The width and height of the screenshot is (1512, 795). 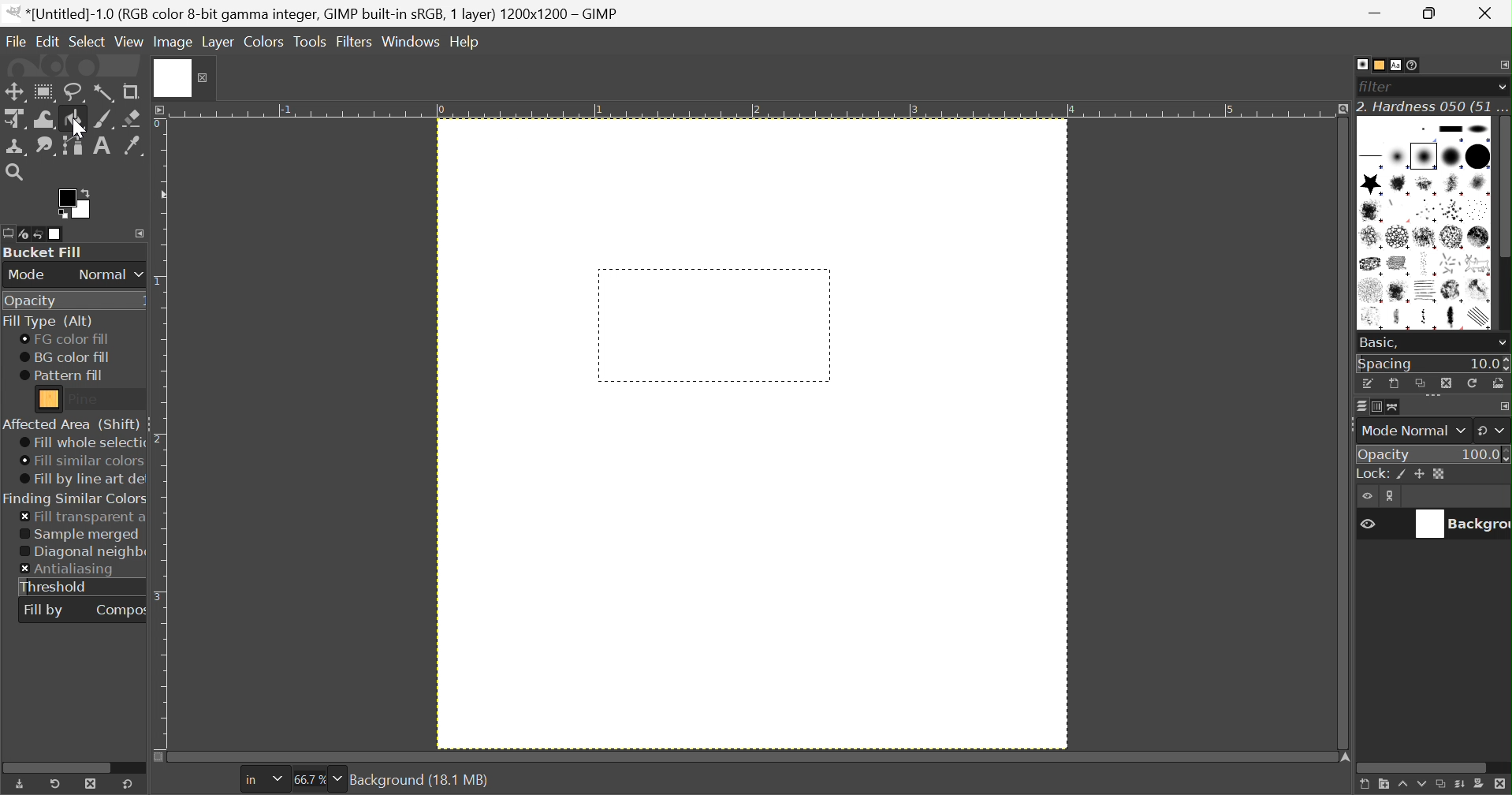 I want to click on vertical , so click(x=1503, y=226).